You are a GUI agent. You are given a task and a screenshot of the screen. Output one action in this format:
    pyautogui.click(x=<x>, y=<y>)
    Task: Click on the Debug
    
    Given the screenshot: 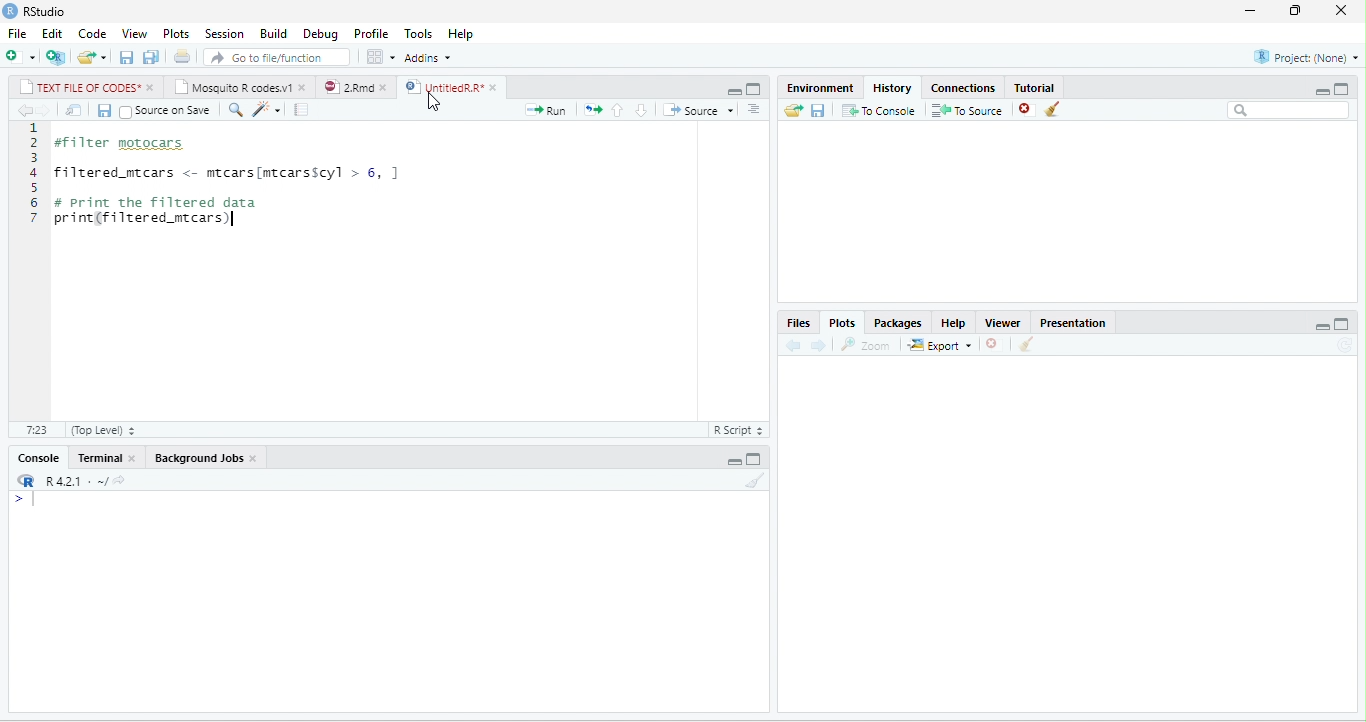 What is the action you would take?
    pyautogui.click(x=320, y=35)
    